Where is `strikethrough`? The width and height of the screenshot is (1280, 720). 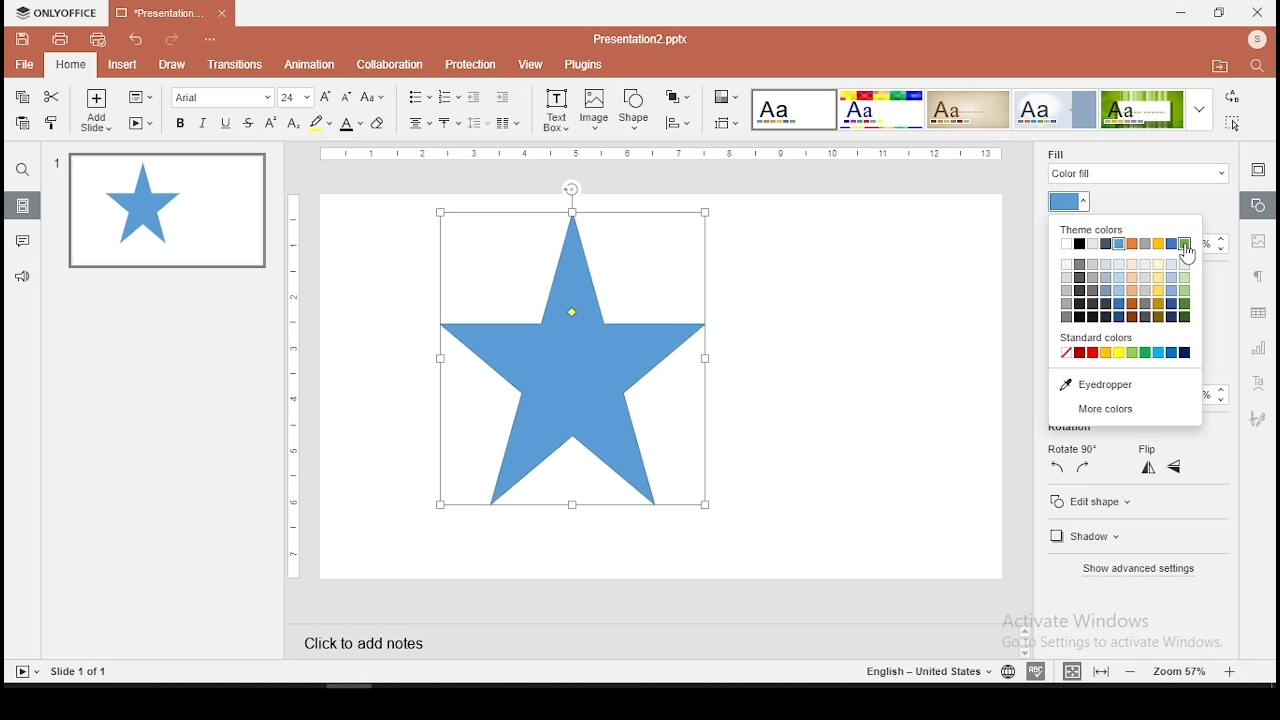
strikethrough is located at coordinates (248, 123).